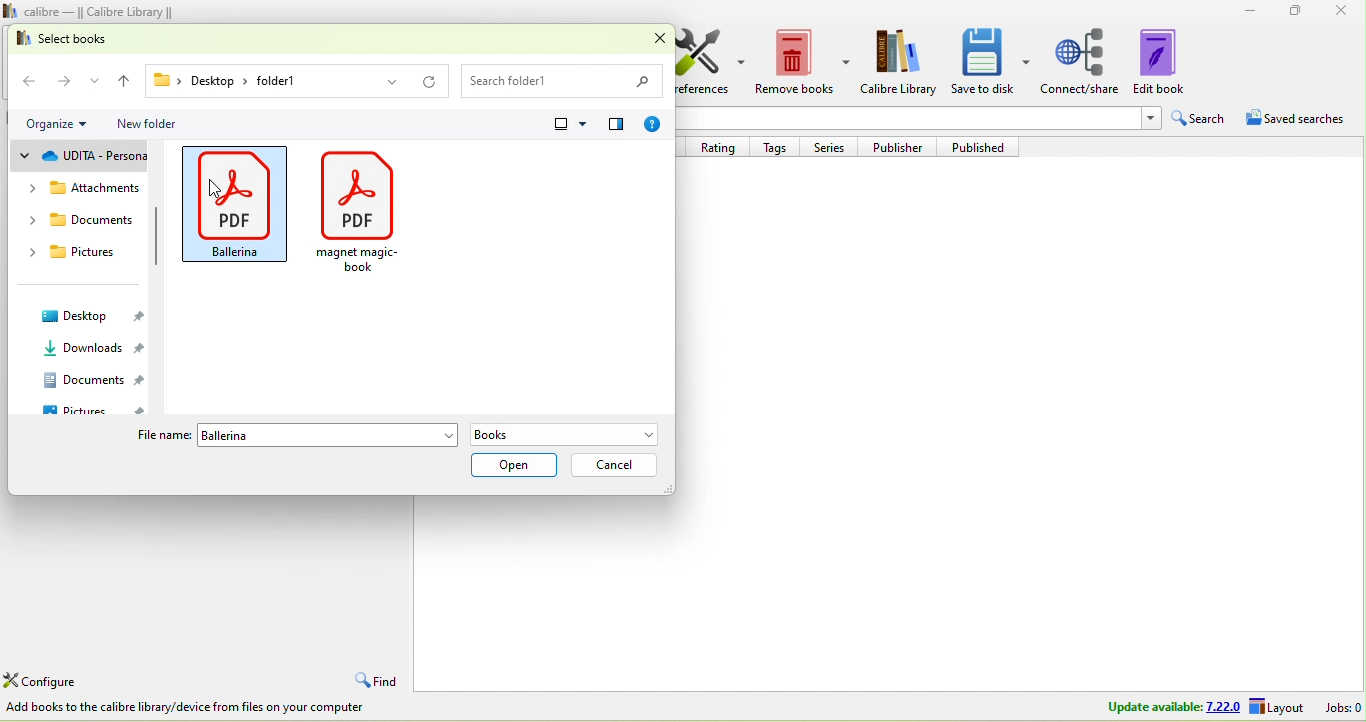 Image resolution: width=1366 pixels, height=722 pixels. What do you see at coordinates (150, 124) in the screenshot?
I see `new folder` at bounding box center [150, 124].